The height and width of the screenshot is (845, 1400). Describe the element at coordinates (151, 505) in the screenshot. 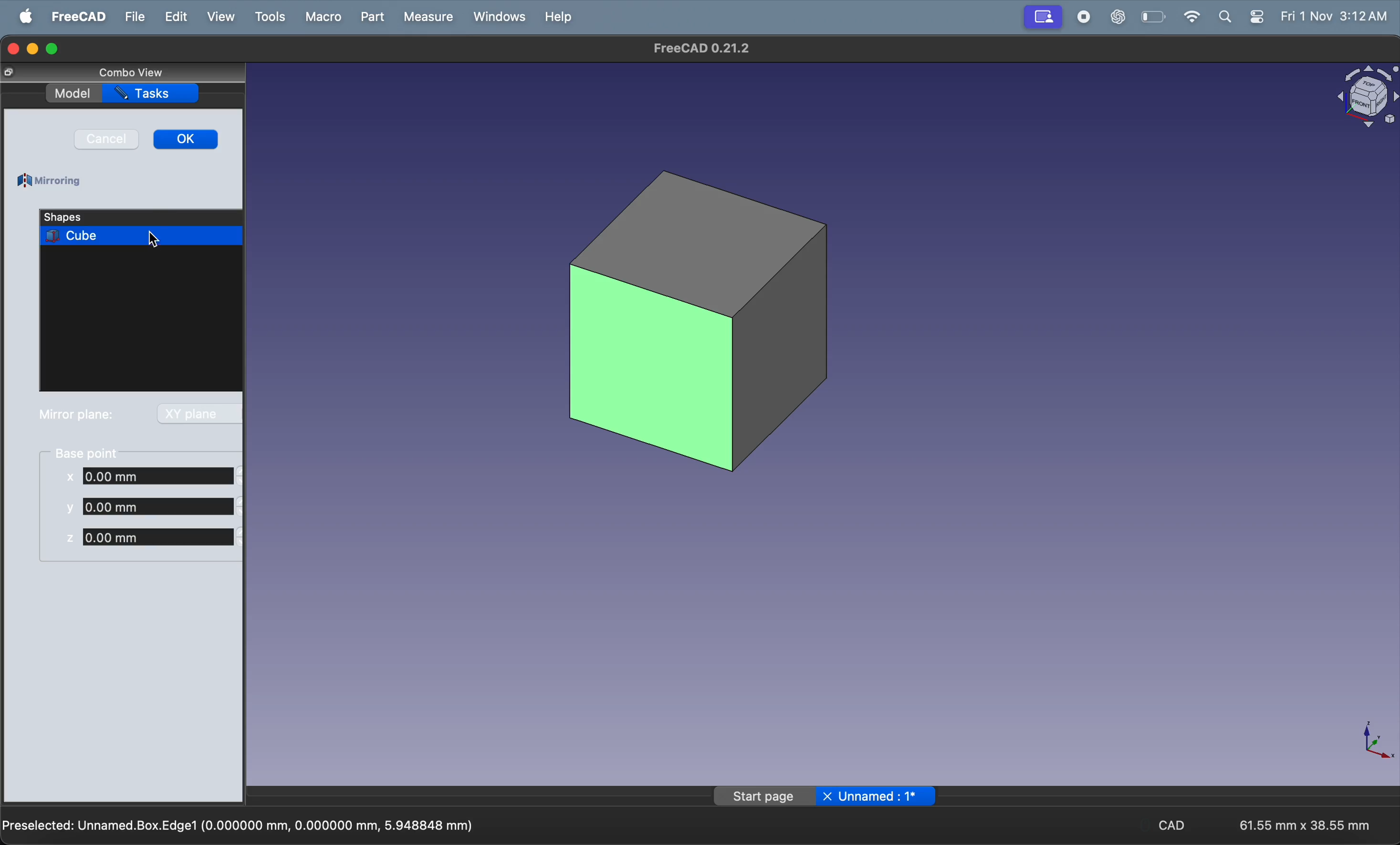

I see `y cordinate` at that location.